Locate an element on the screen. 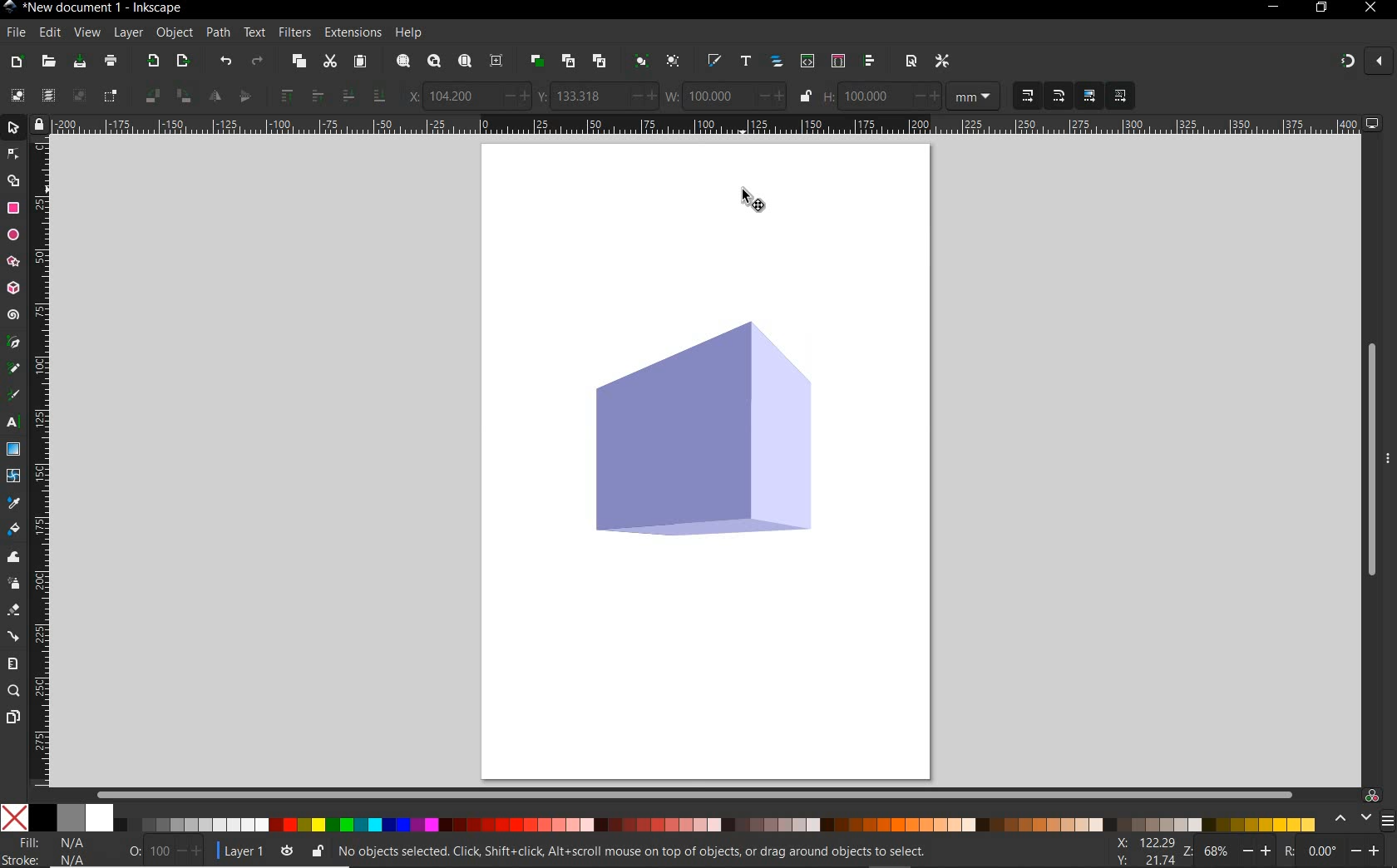 The height and width of the screenshot is (868, 1397). menu is located at coordinates (1388, 821).